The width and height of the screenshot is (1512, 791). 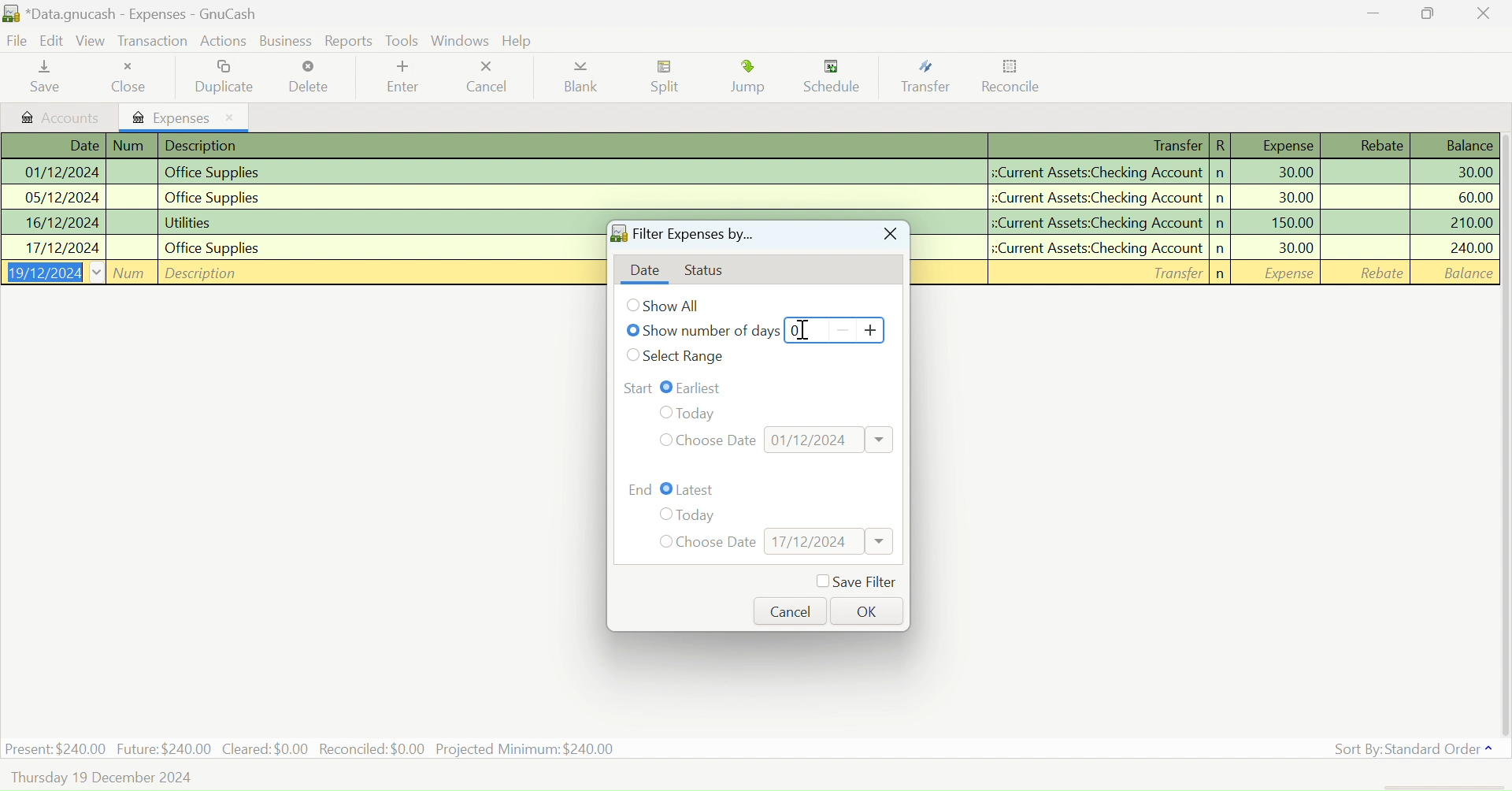 I want to click on Utilities Transaction, so click(x=1211, y=221).